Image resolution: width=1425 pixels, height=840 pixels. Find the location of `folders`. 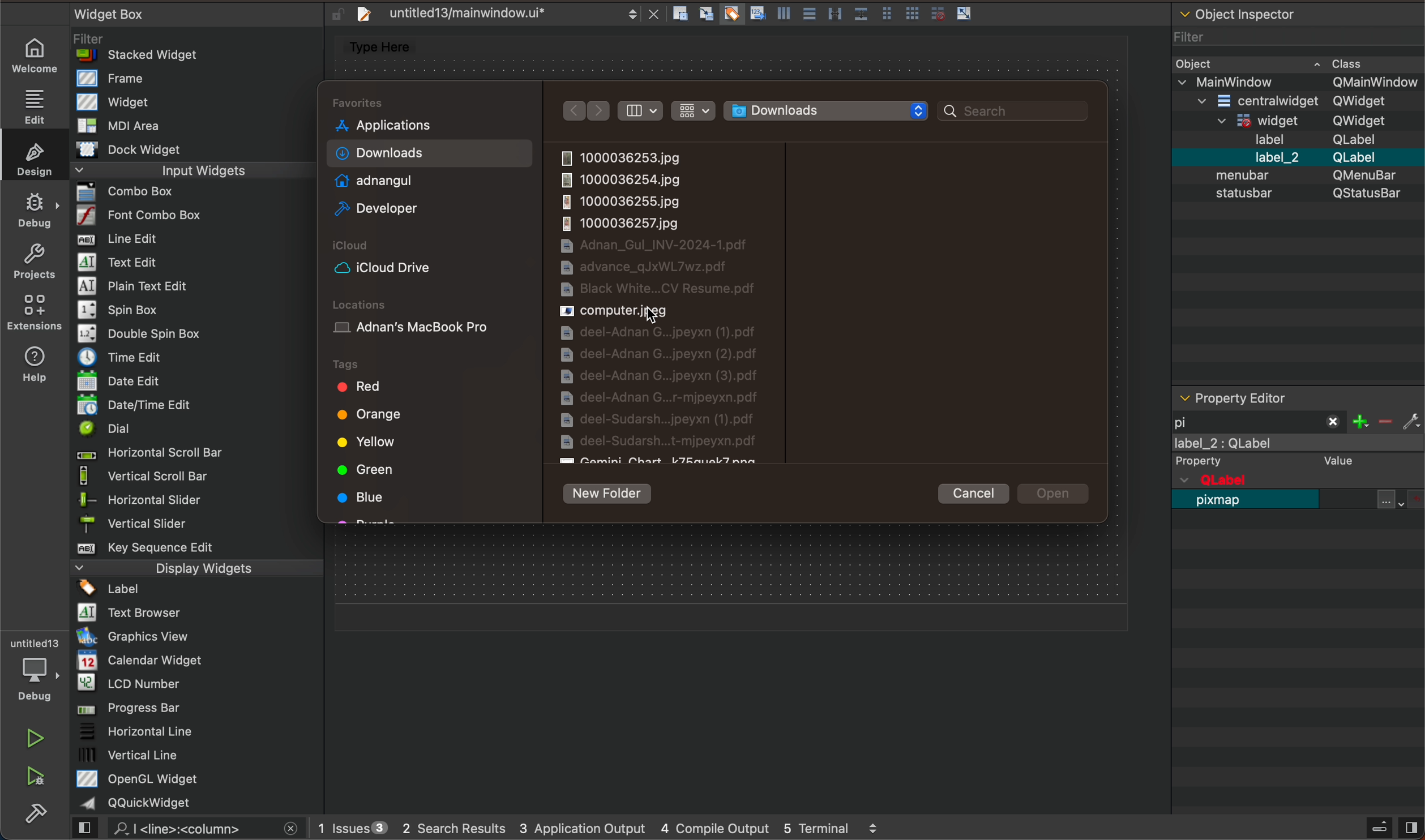

folders is located at coordinates (430, 162).